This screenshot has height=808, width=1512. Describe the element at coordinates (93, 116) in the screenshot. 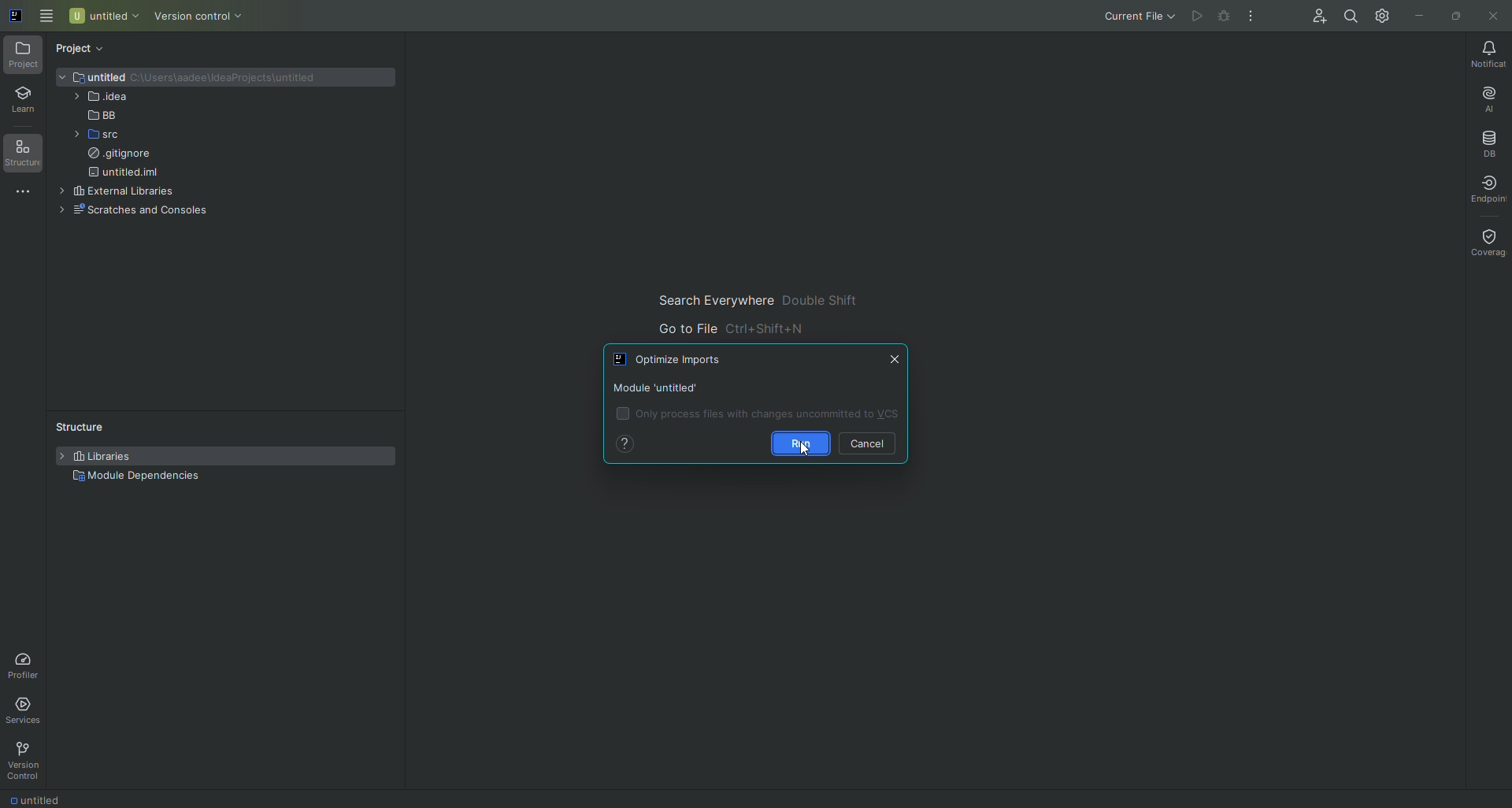

I see `BB` at that location.